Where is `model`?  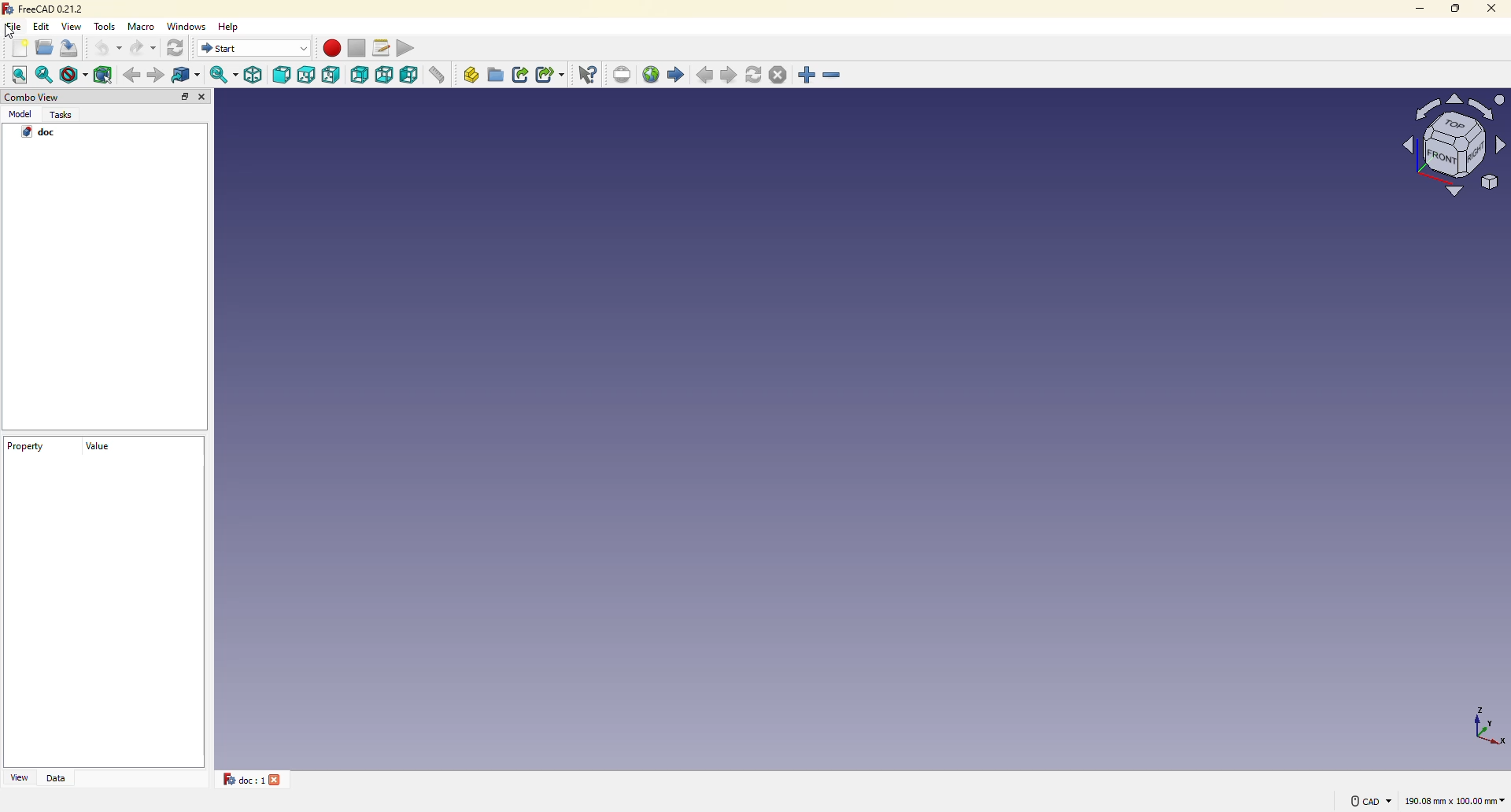
model is located at coordinates (21, 115).